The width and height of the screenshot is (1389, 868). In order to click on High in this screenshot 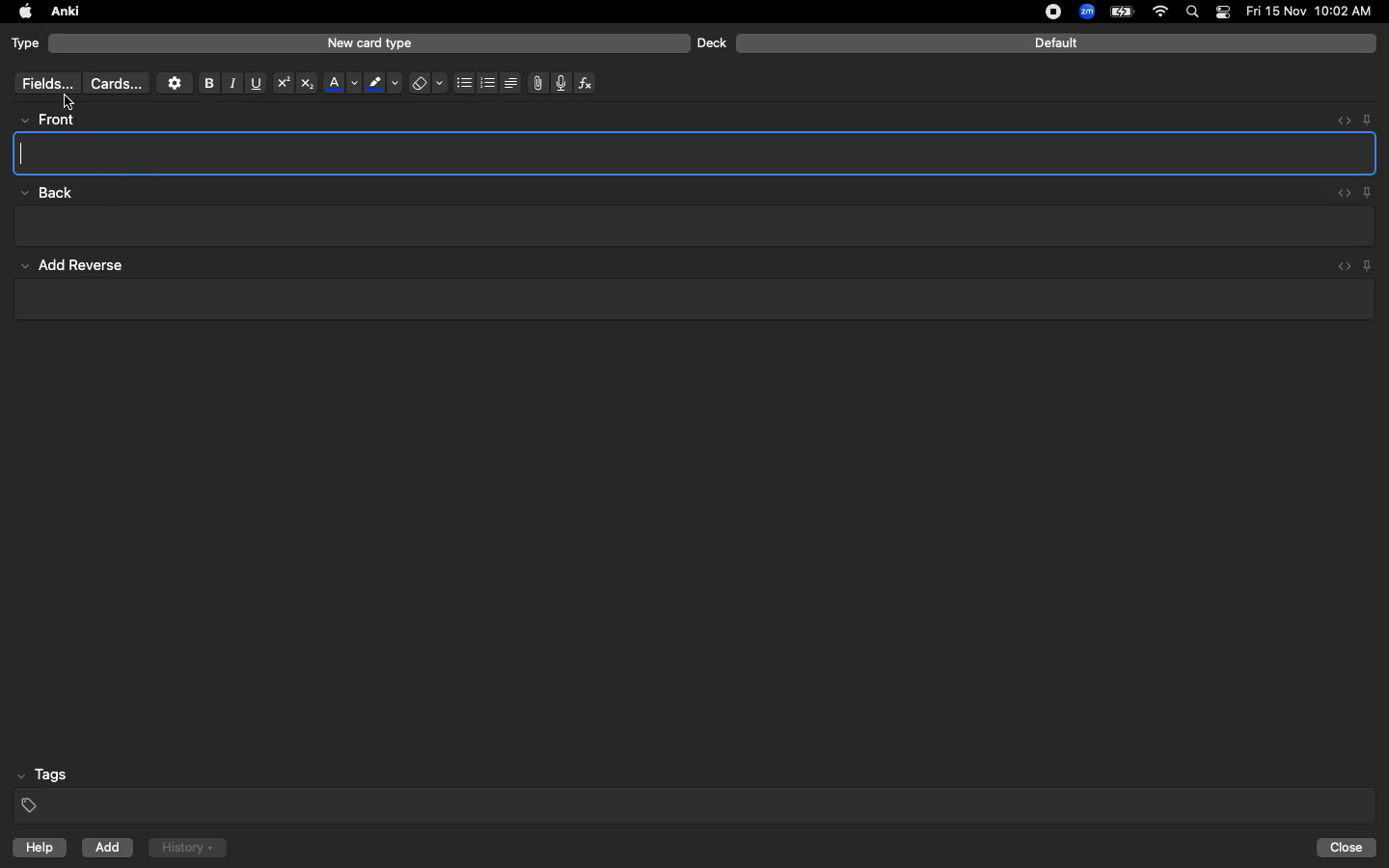, I will do `click(54, 120)`.